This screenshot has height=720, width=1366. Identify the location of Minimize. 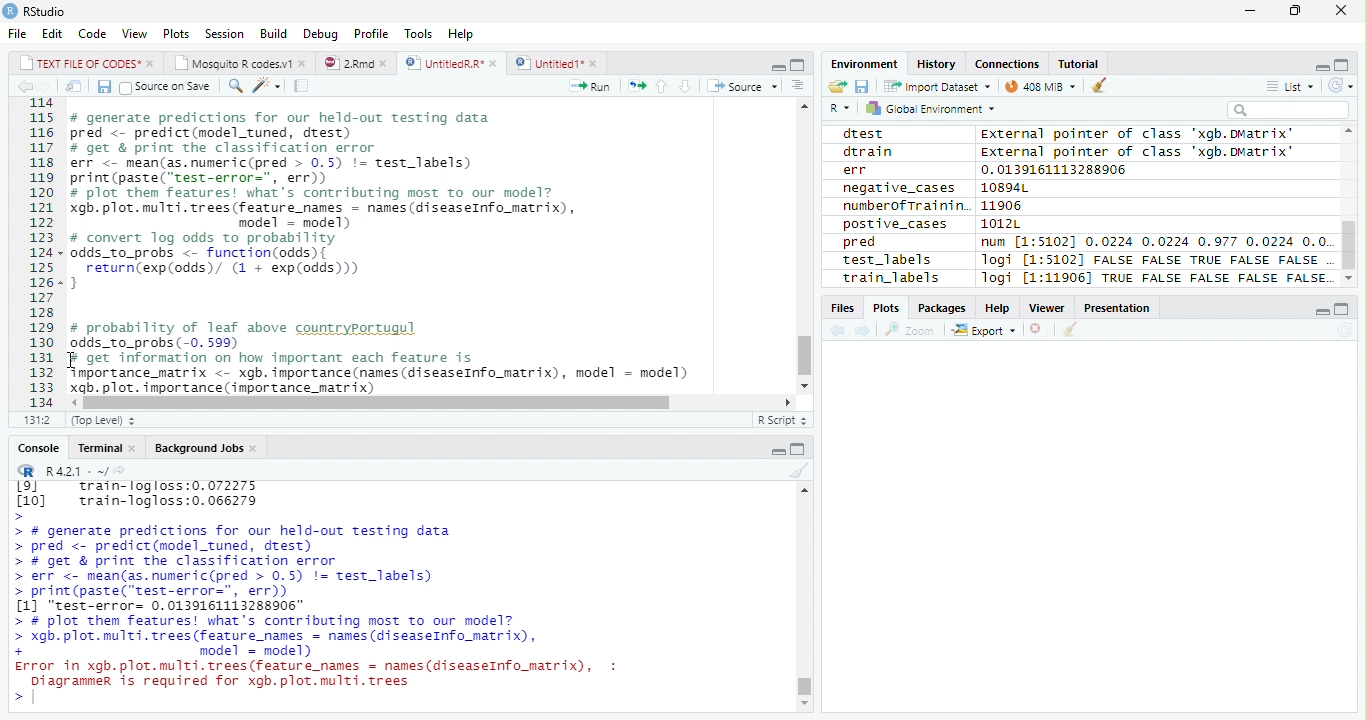
(1318, 65).